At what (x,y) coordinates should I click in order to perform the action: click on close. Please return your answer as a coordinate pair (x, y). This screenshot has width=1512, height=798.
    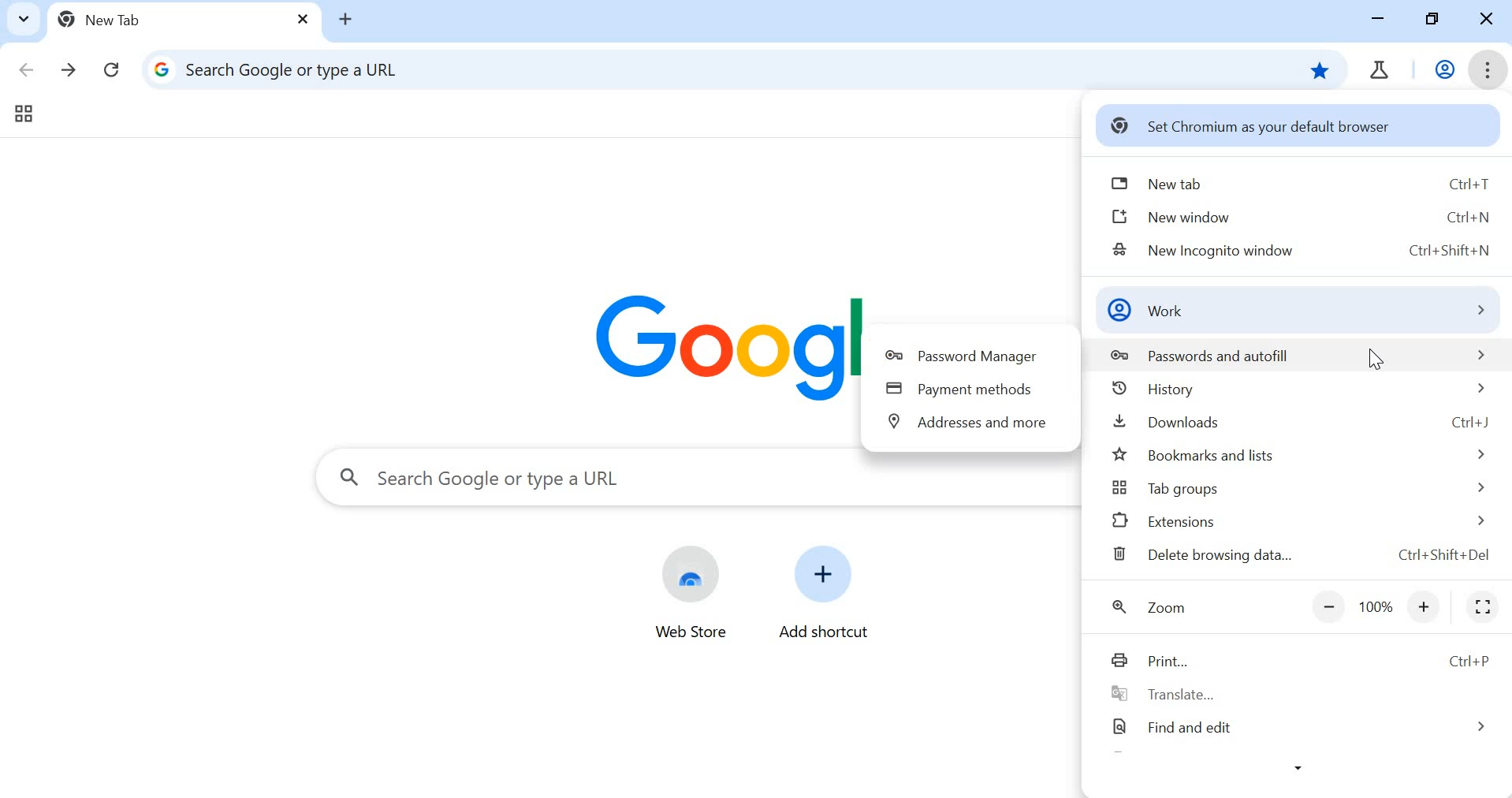
    Looking at the image, I should click on (1487, 22).